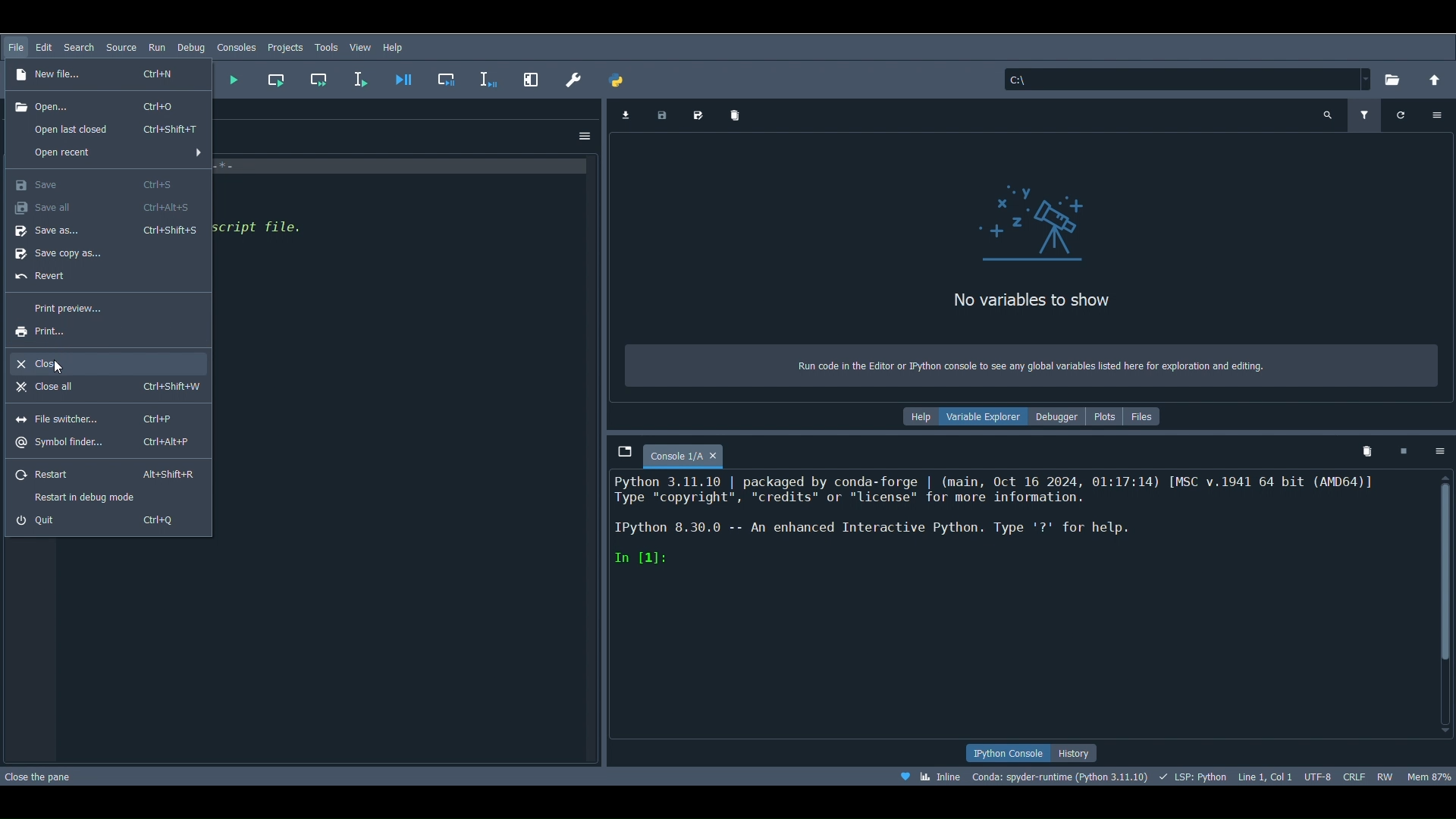 The height and width of the screenshot is (819, 1456). I want to click on Debug file (Ctrl + F5), so click(405, 76).